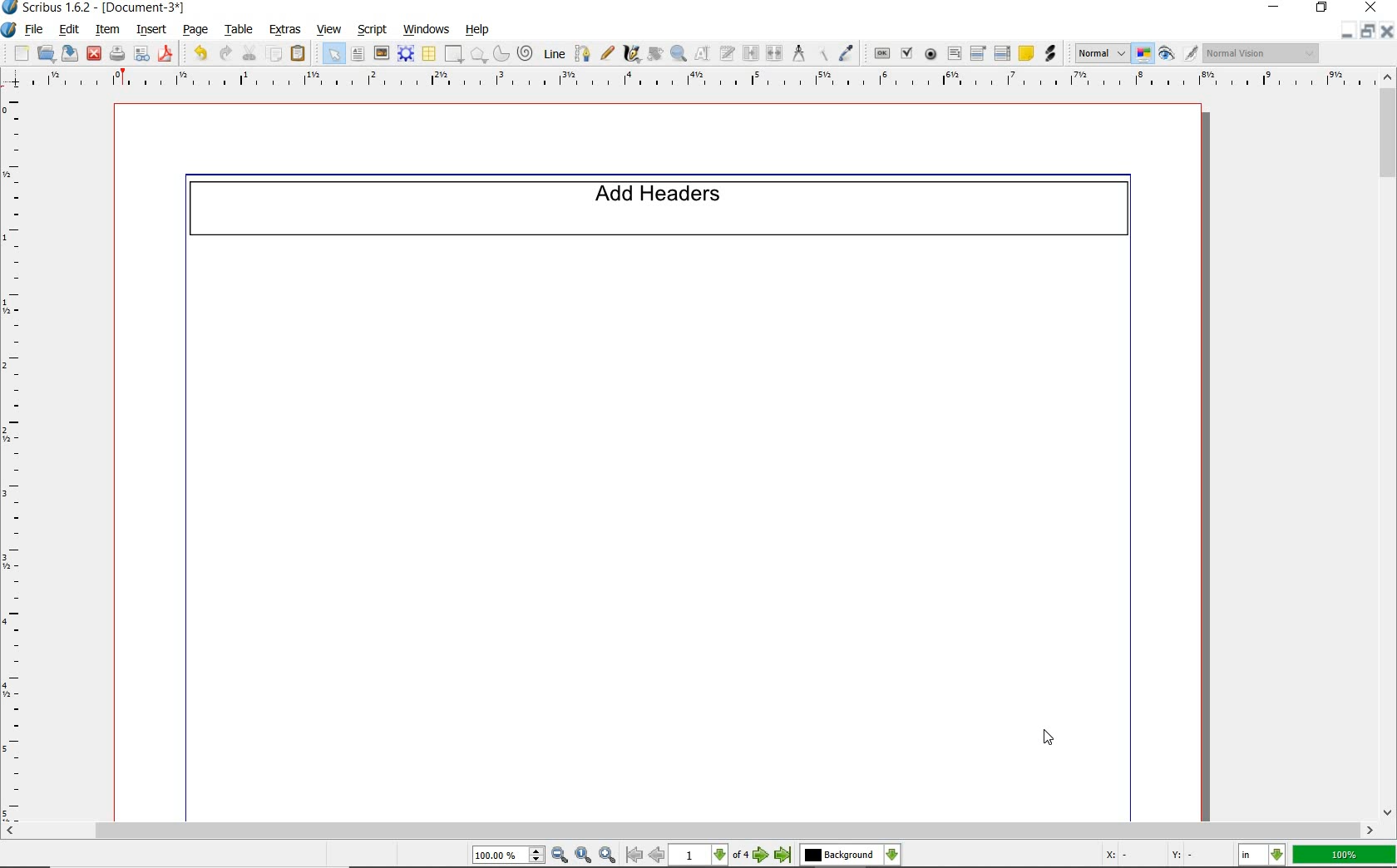 The width and height of the screenshot is (1397, 868). What do you see at coordinates (1370, 32) in the screenshot?
I see `restore` at bounding box center [1370, 32].